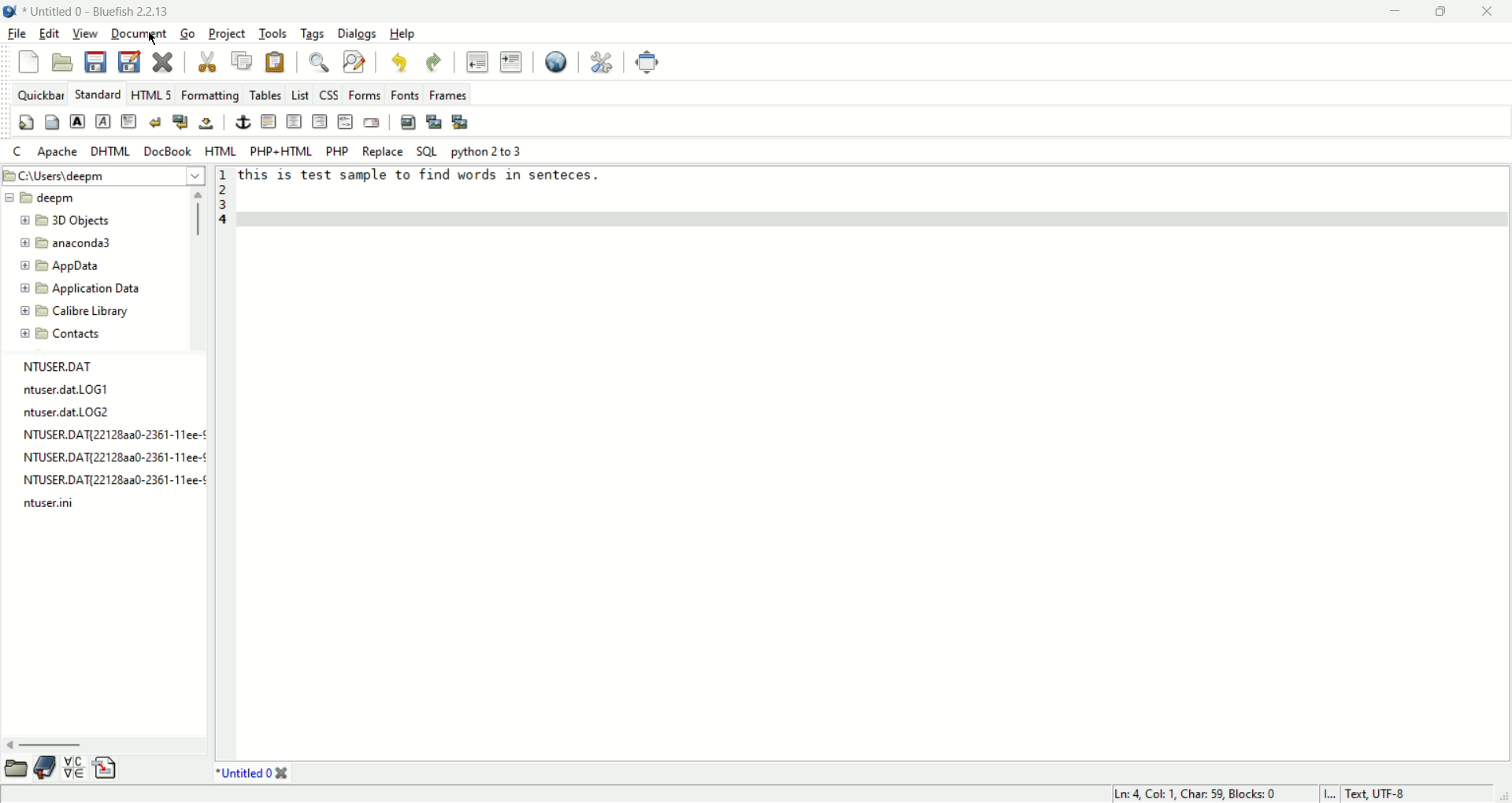 The width and height of the screenshot is (1512, 803). Describe the element at coordinates (45, 769) in the screenshot. I see `bookmarks` at that location.